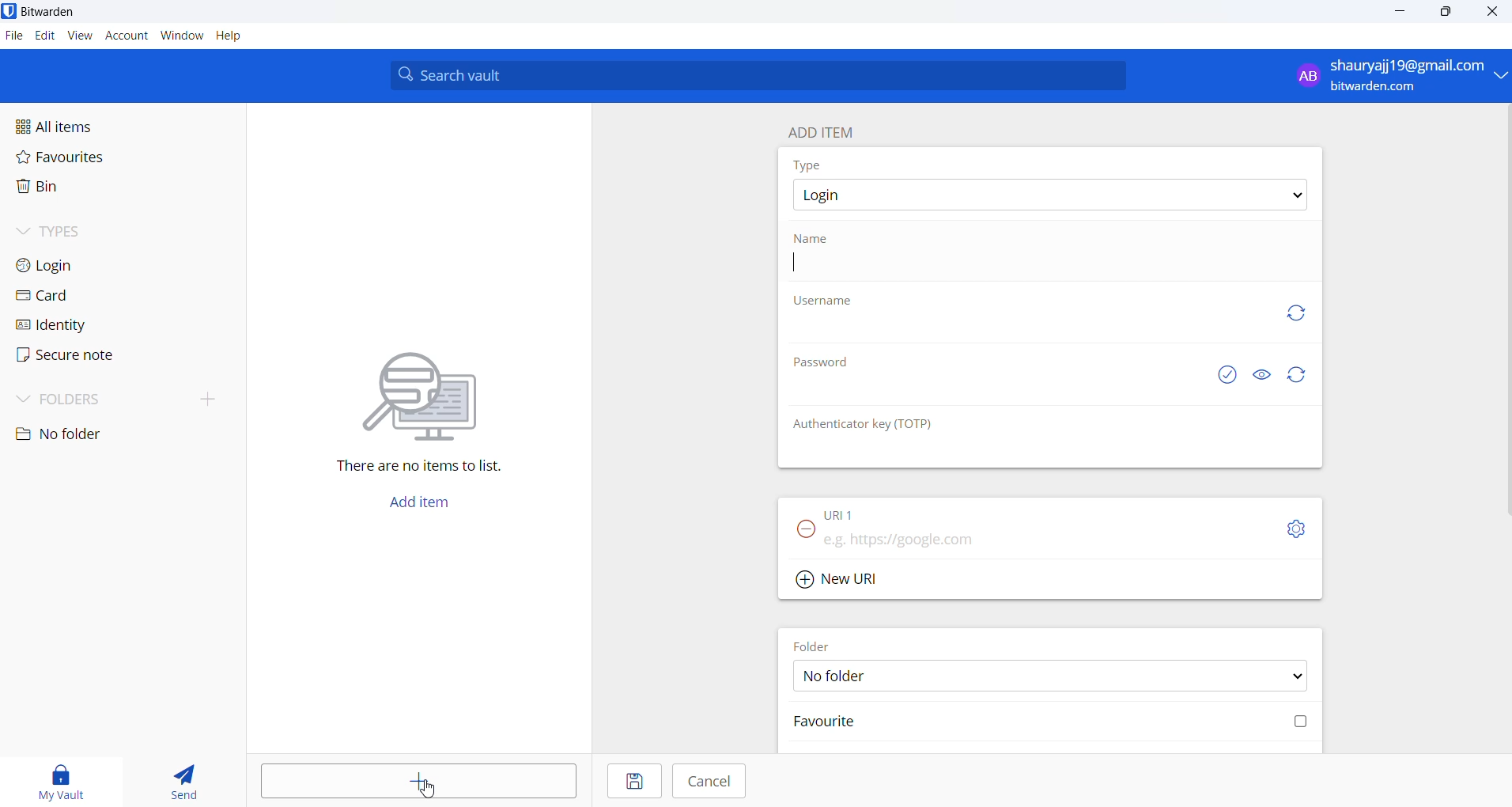 This screenshot has height=807, width=1512. I want to click on my vault, so click(55, 779).